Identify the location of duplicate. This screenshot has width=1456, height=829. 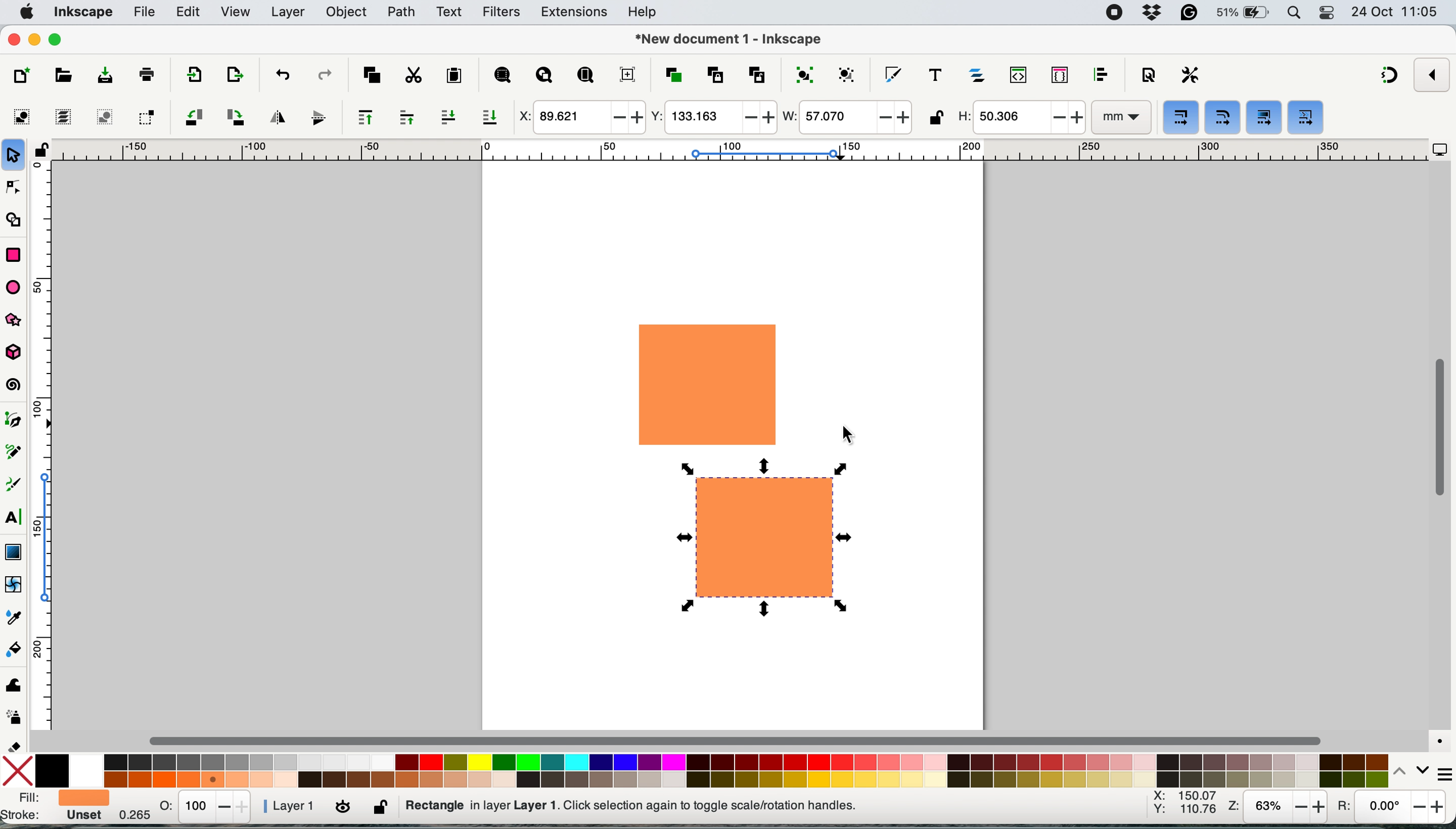
(672, 75).